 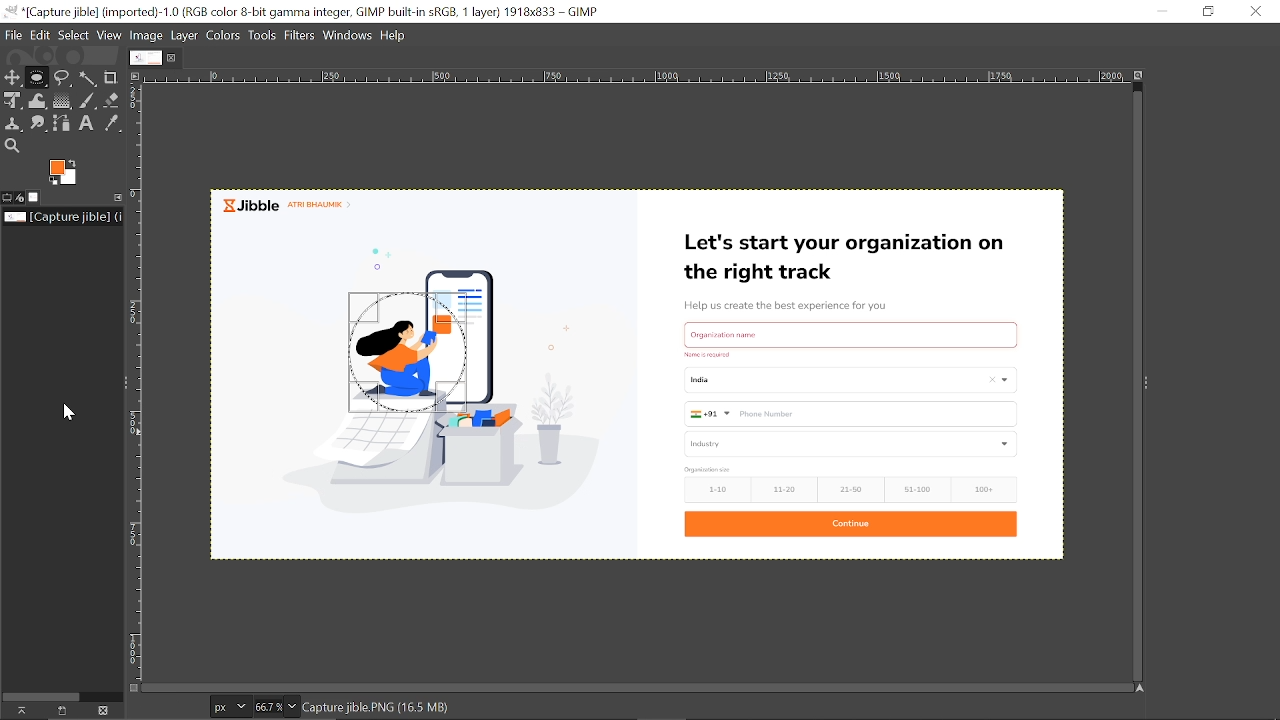 What do you see at coordinates (111, 124) in the screenshot?
I see `Color picker tool` at bounding box center [111, 124].